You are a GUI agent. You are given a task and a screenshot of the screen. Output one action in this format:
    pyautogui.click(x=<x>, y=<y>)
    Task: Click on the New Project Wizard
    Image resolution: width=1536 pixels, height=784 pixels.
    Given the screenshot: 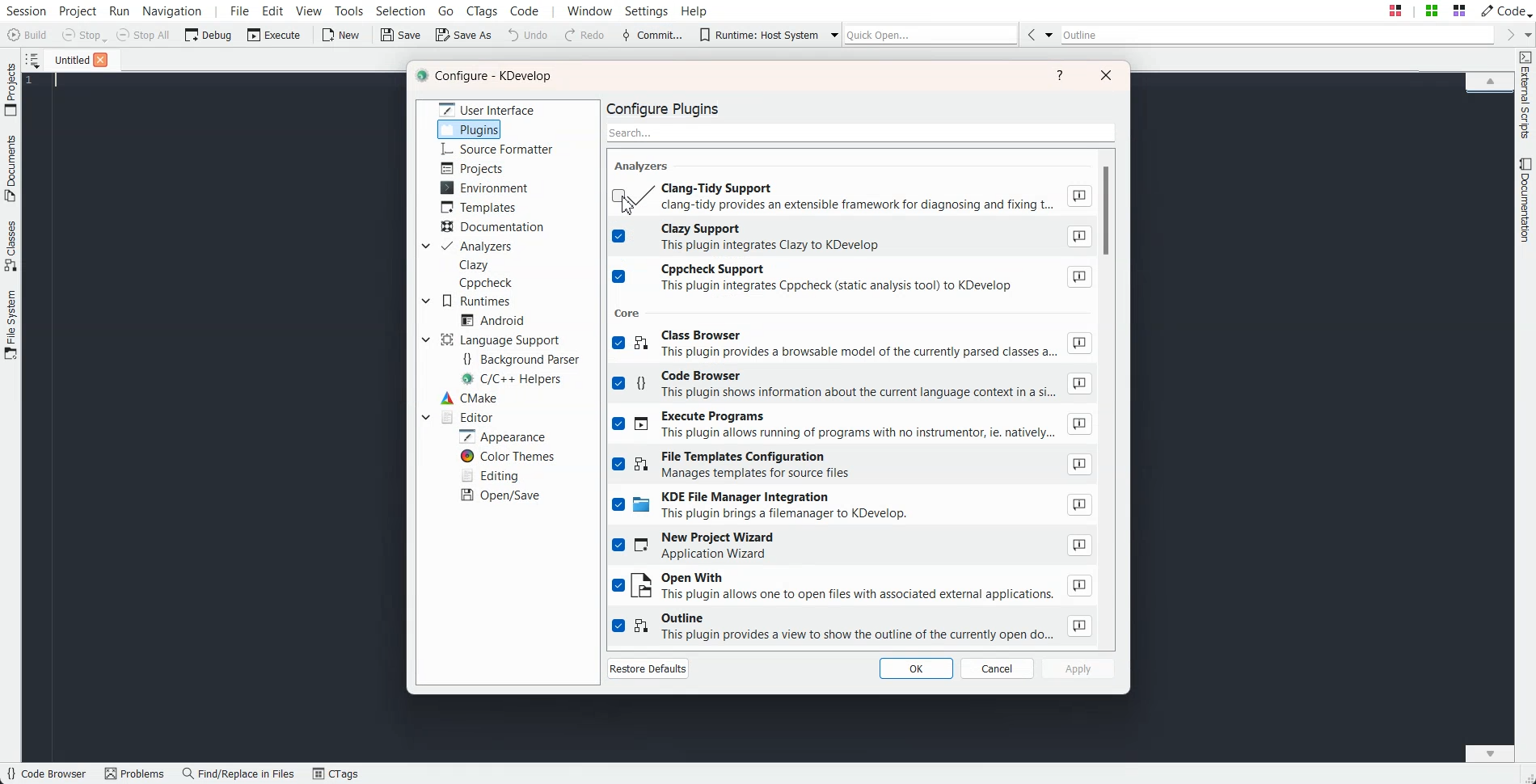 What is the action you would take?
    pyautogui.click(x=853, y=547)
    